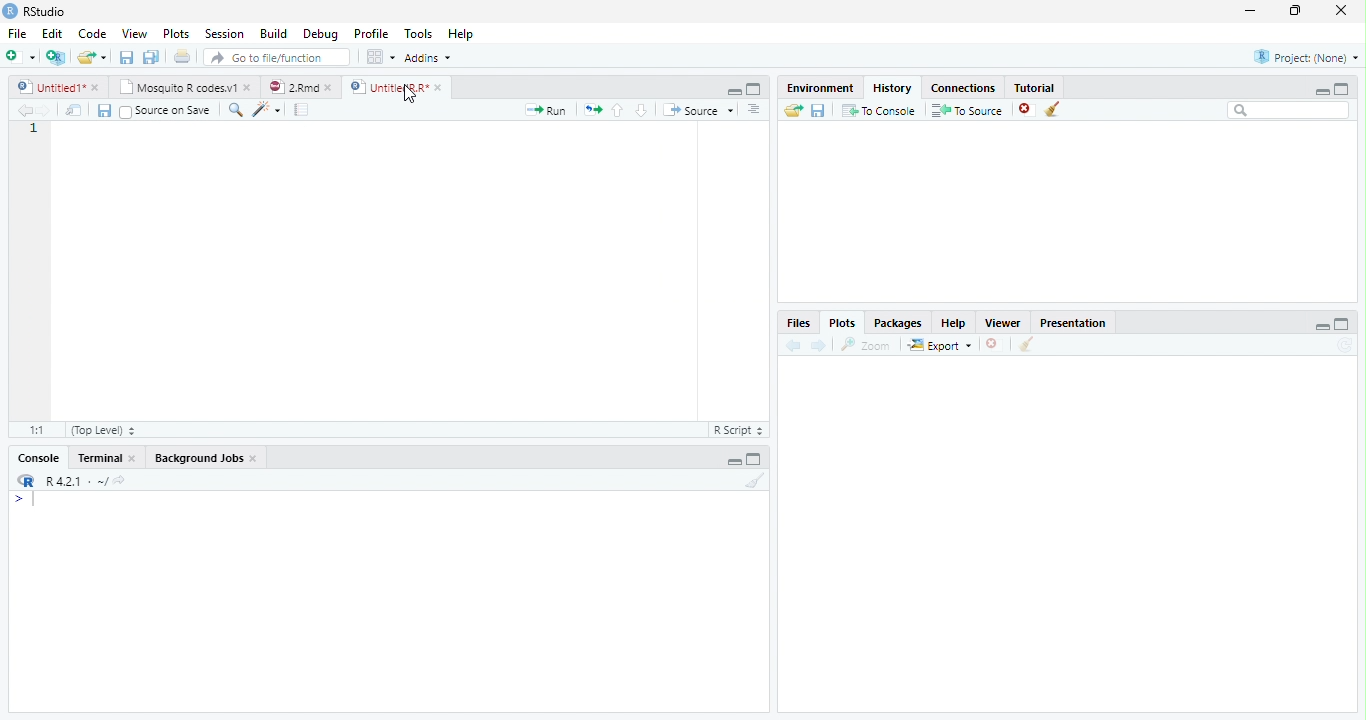 Image resolution: width=1366 pixels, height=720 pixels. I want to click on UntitledR.R*, so click(388, 88).